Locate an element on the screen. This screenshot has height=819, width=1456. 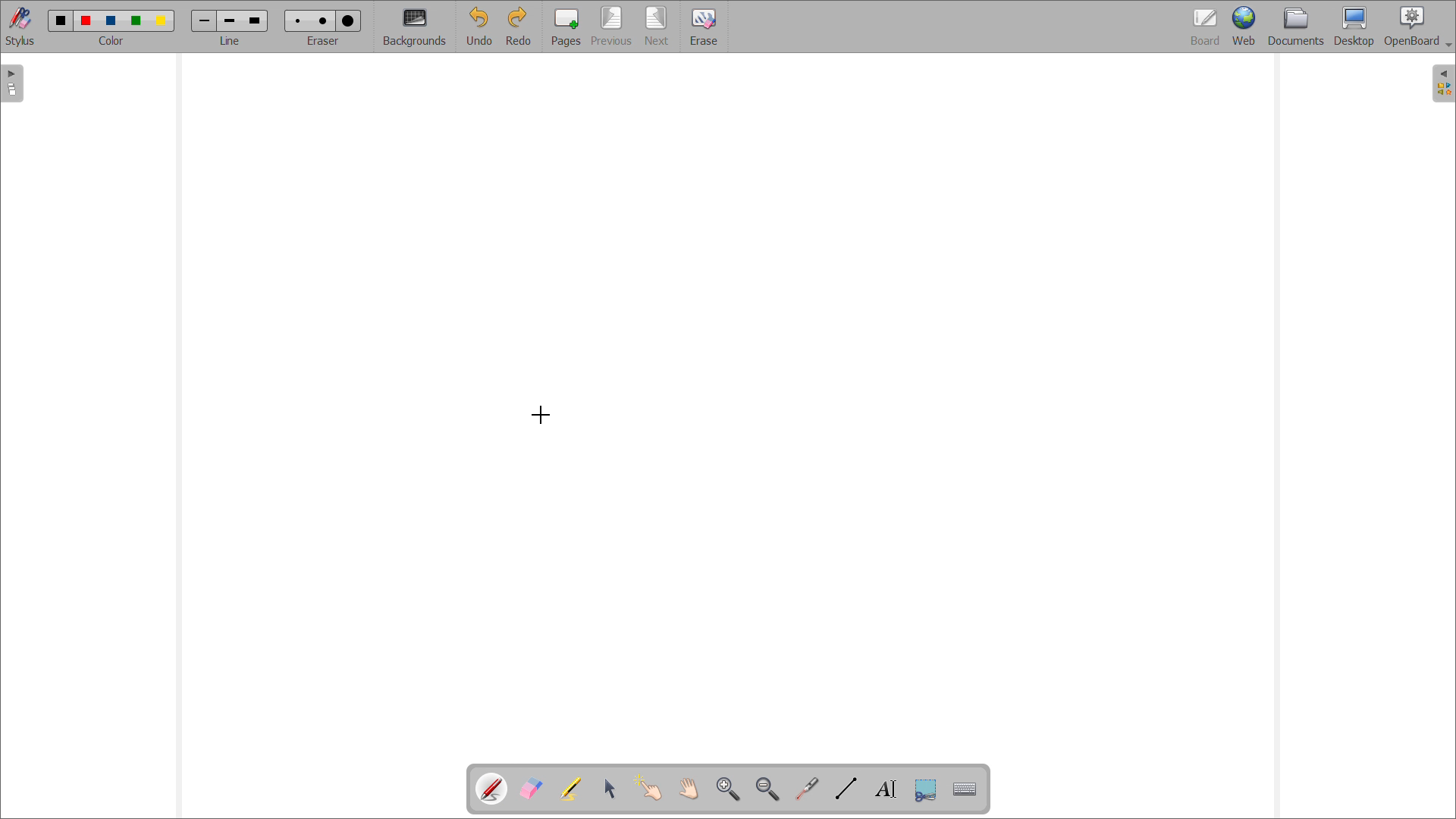
redo is located at coordinates (519, 26).